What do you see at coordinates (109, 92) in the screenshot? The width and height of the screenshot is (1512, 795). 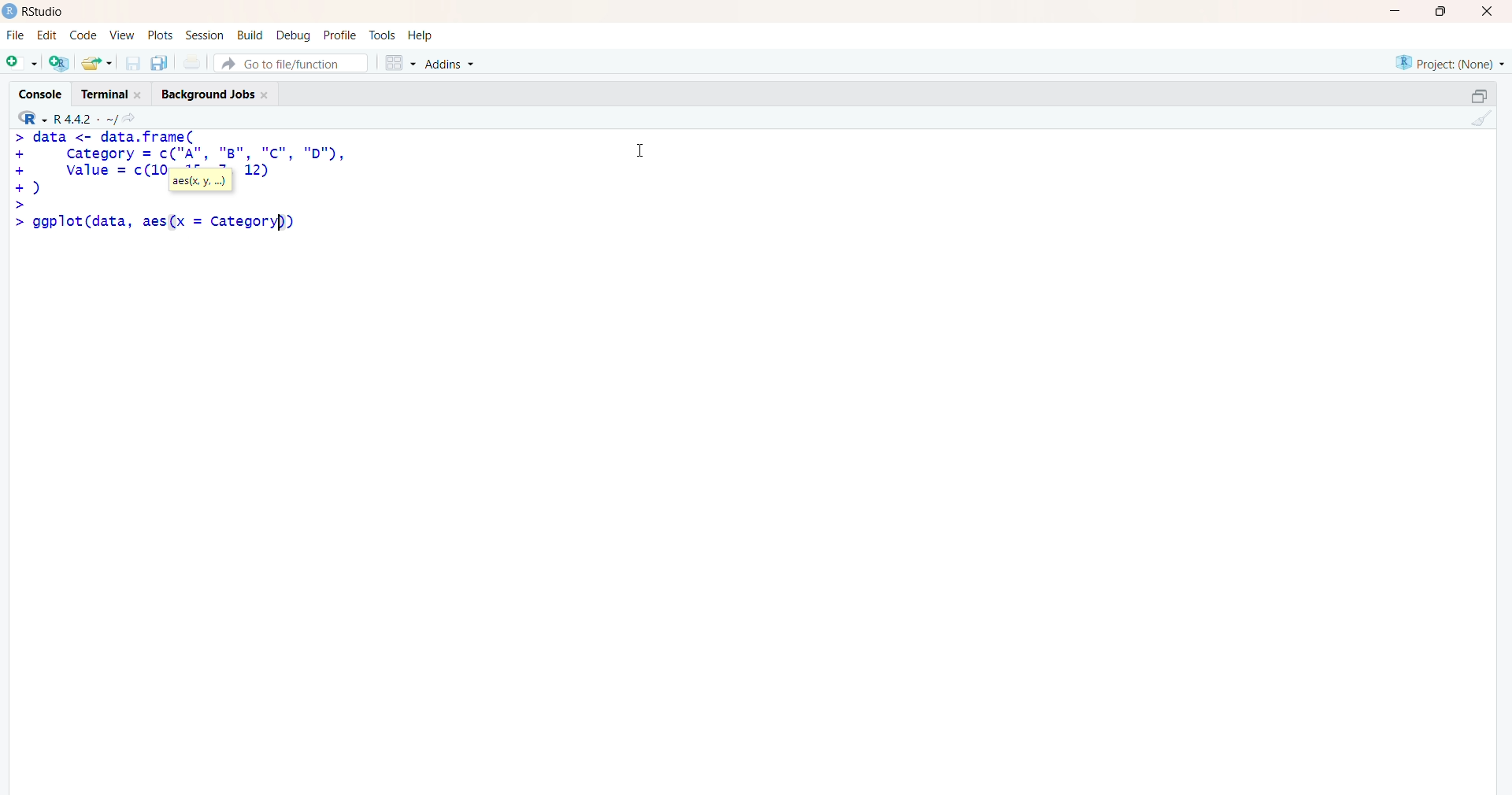 I see `Terminal` at bounding box center [109, 92].